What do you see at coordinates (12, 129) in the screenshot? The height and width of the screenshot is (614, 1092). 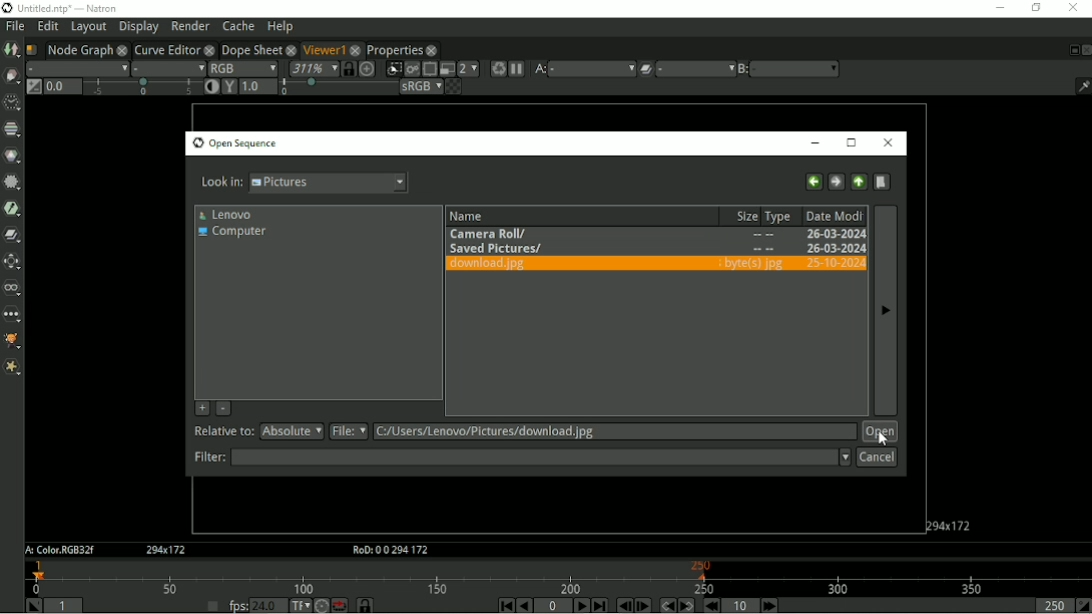 I see `Channel` at bounding box center [12, 129].